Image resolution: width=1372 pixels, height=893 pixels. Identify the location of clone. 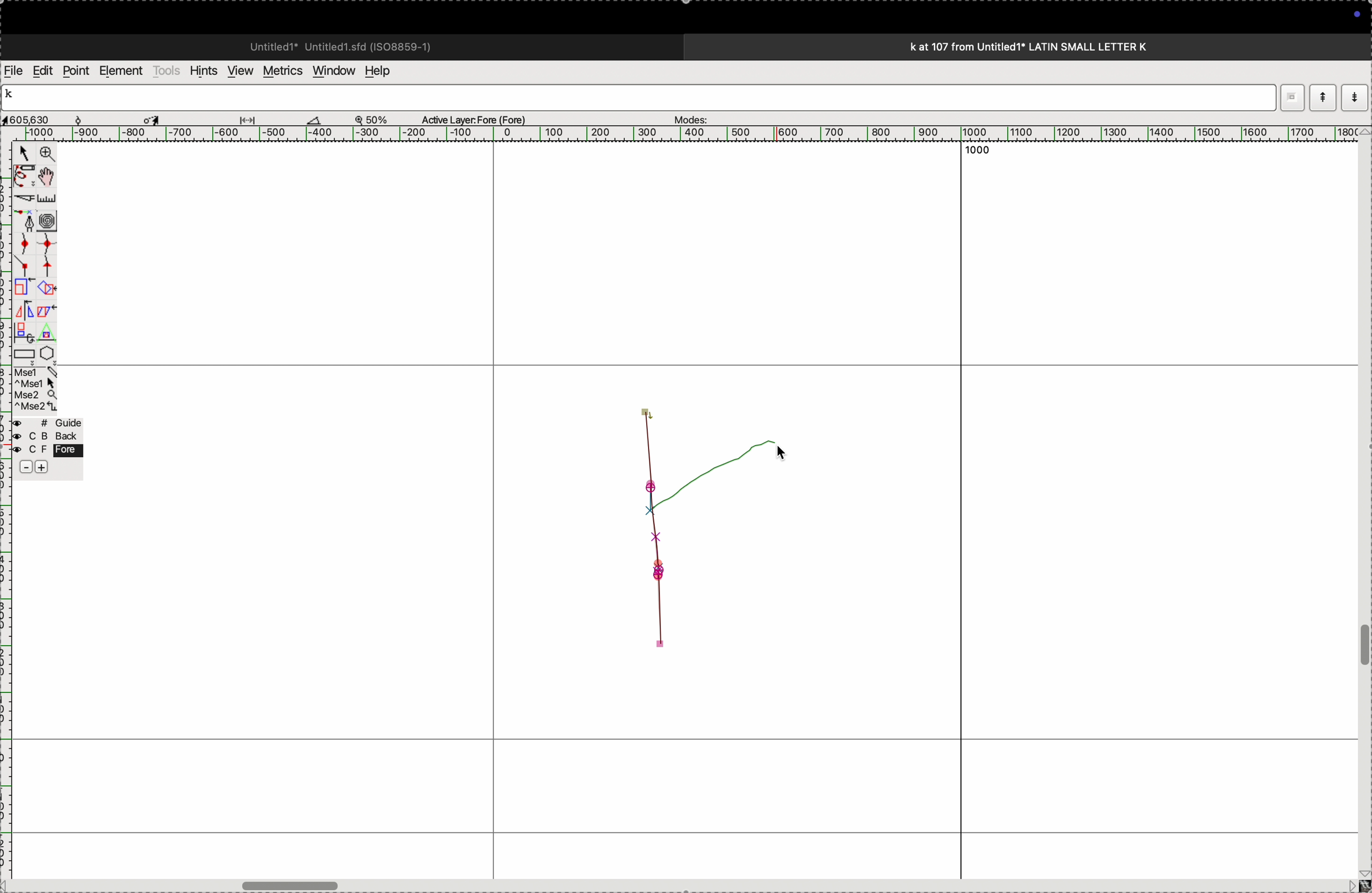
(22, 288).